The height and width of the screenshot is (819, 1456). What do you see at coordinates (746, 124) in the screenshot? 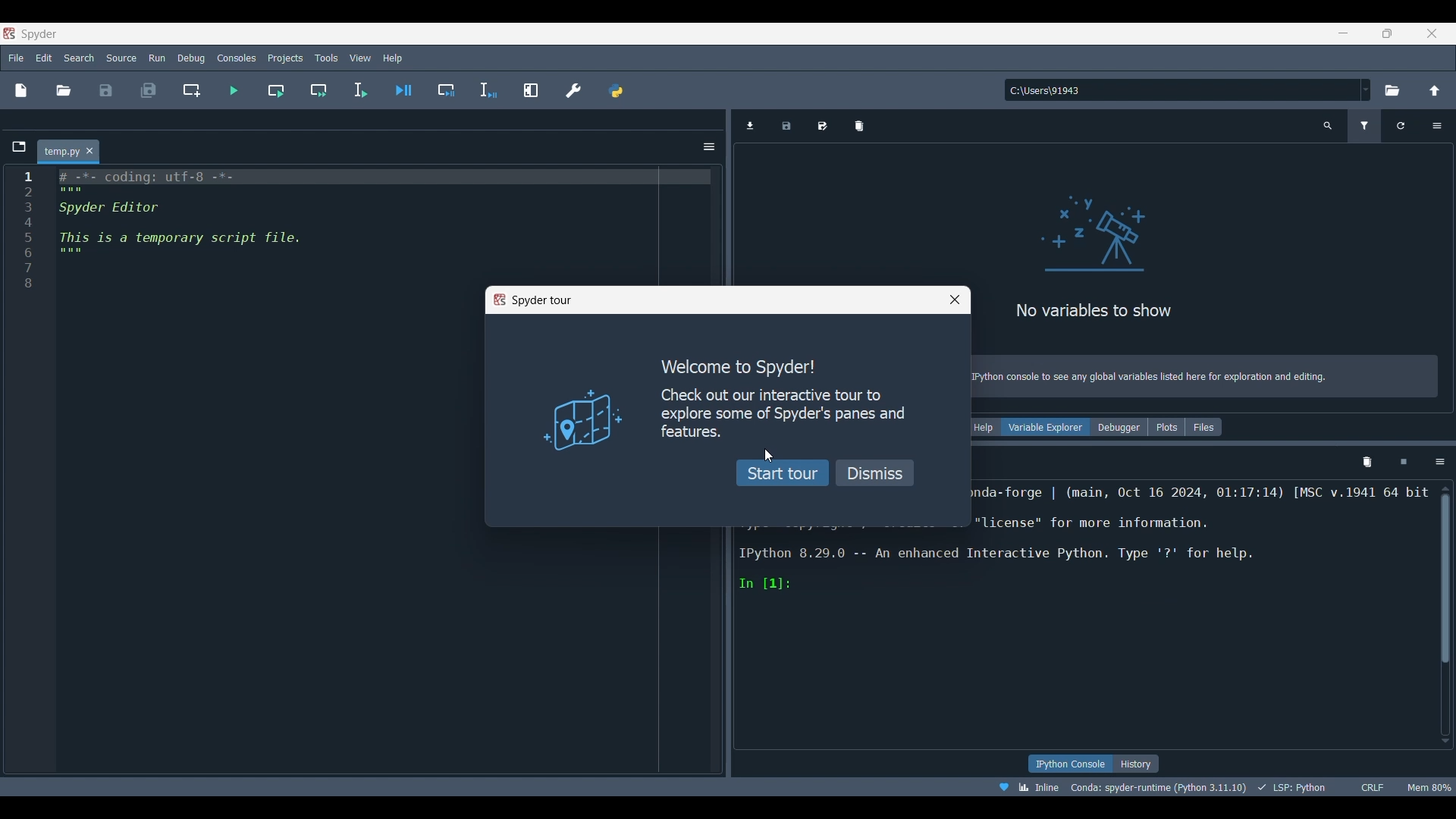
I see `download` at bounding box center [746, 124].